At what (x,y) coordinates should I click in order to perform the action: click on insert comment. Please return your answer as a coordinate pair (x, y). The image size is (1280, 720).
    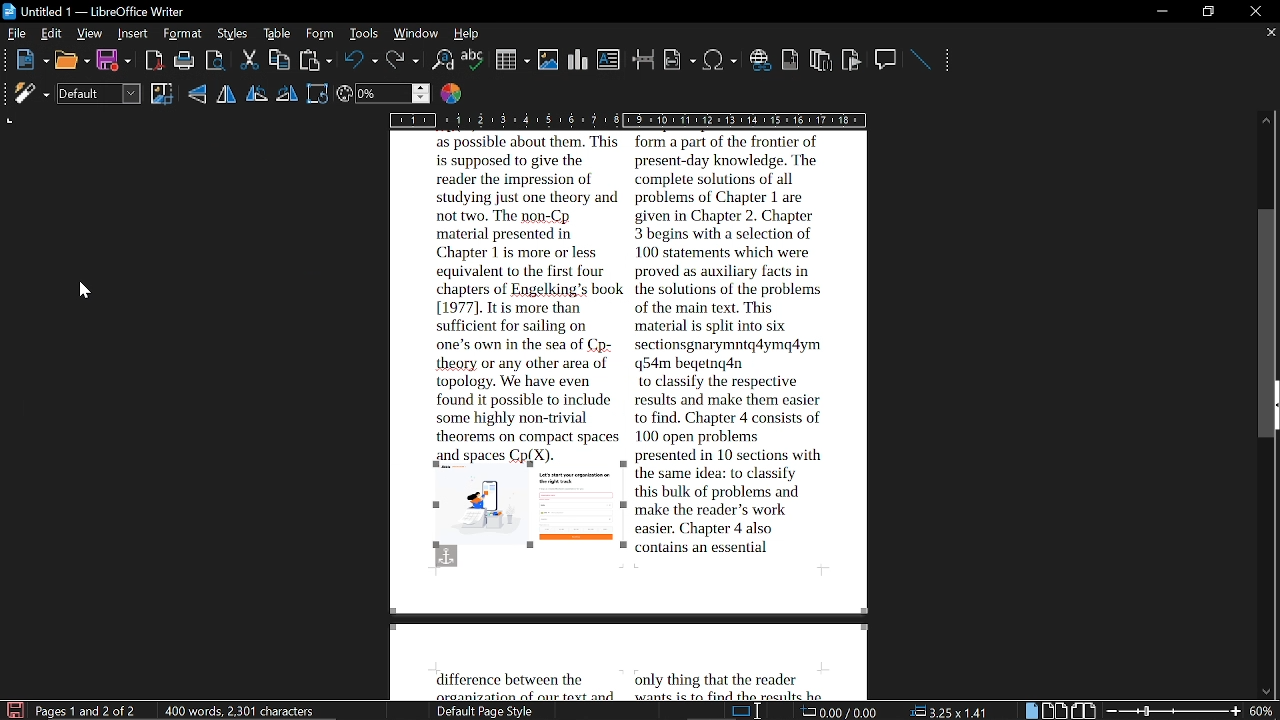
    Looking at the image, I should click on (887, 59).